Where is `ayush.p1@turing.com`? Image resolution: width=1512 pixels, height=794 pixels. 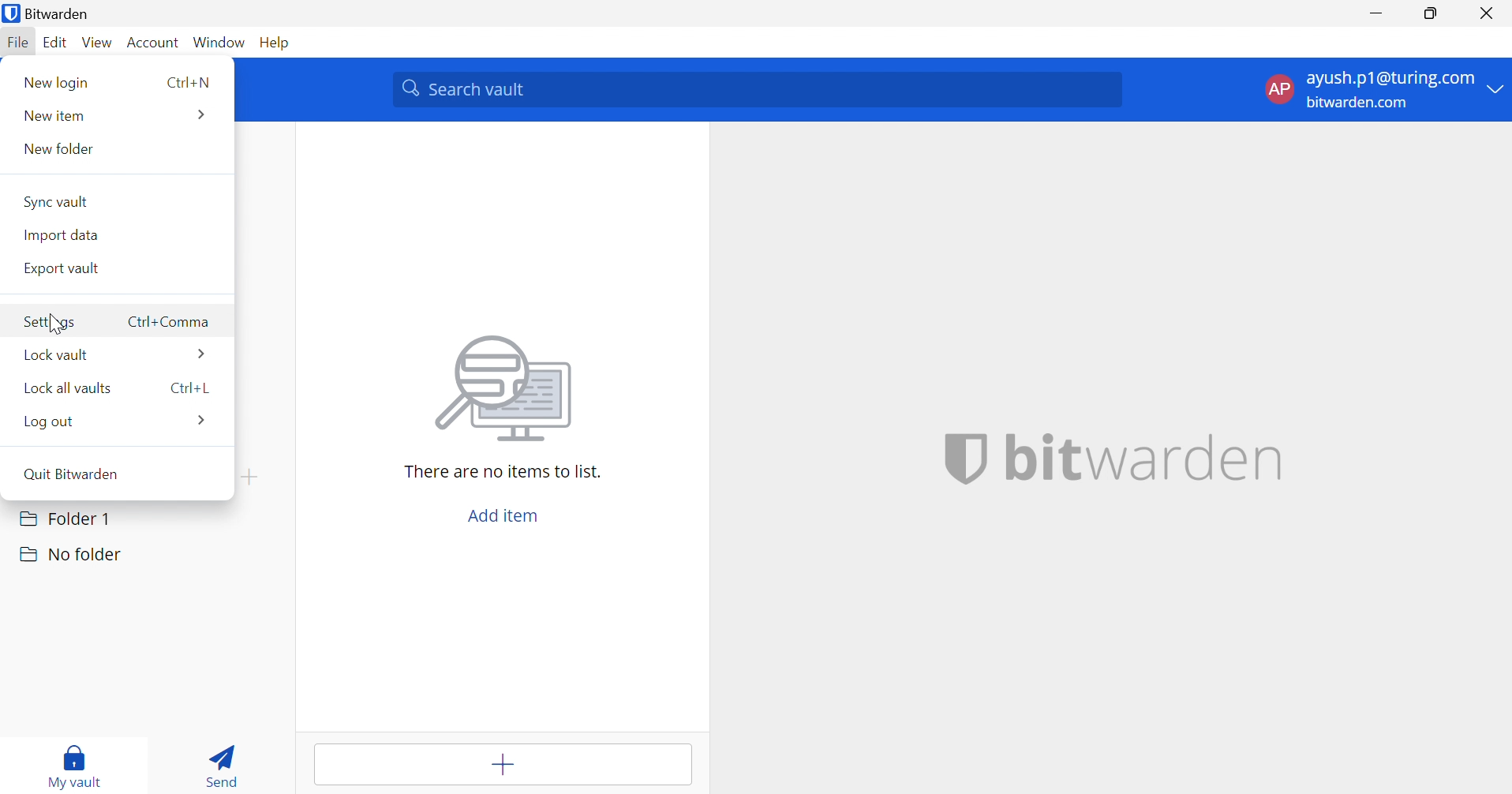
ayush.p1@turing.com is located at coordinates (1390, 81).